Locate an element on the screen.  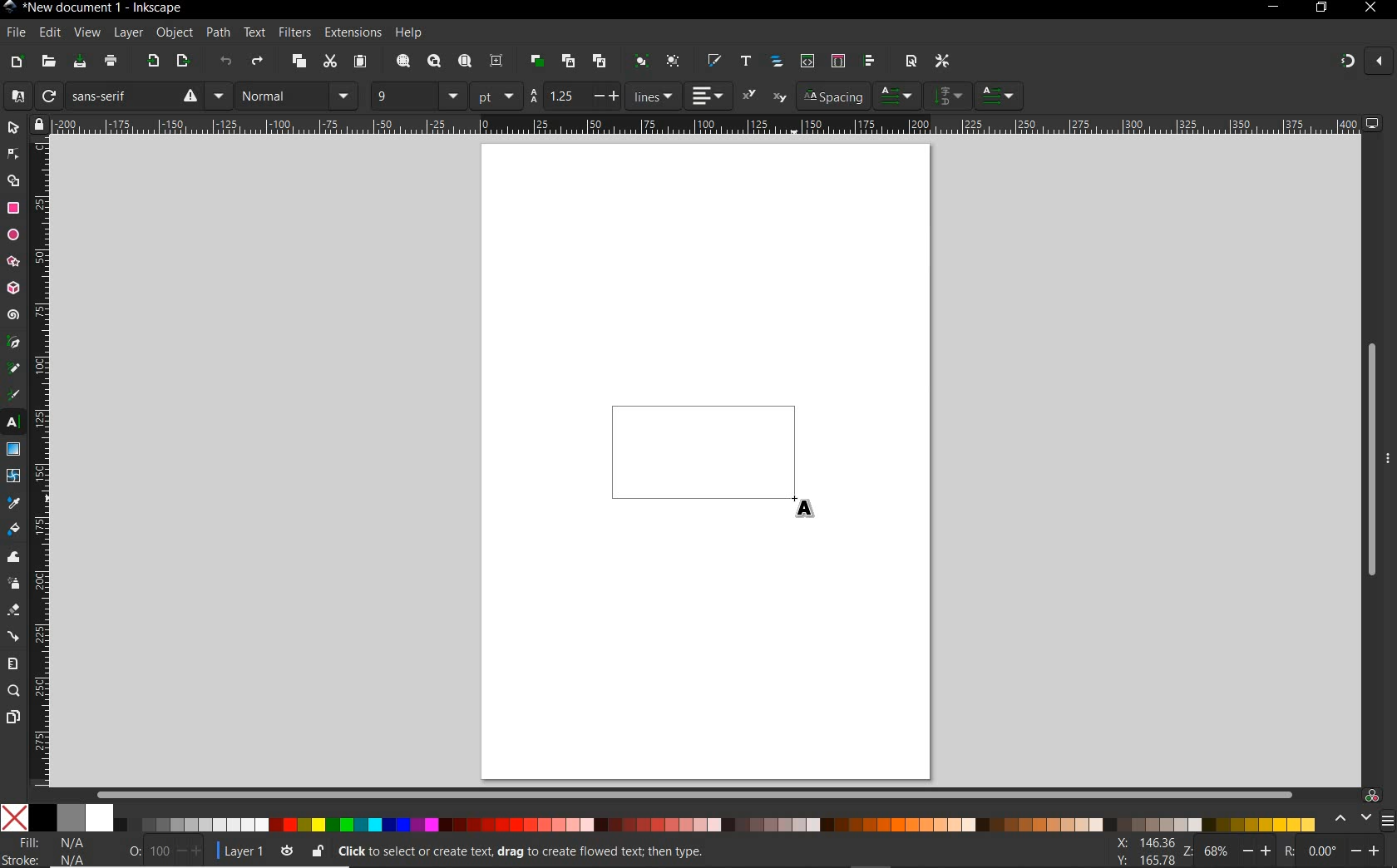
sans-serif is located at coordinates (134, 96).